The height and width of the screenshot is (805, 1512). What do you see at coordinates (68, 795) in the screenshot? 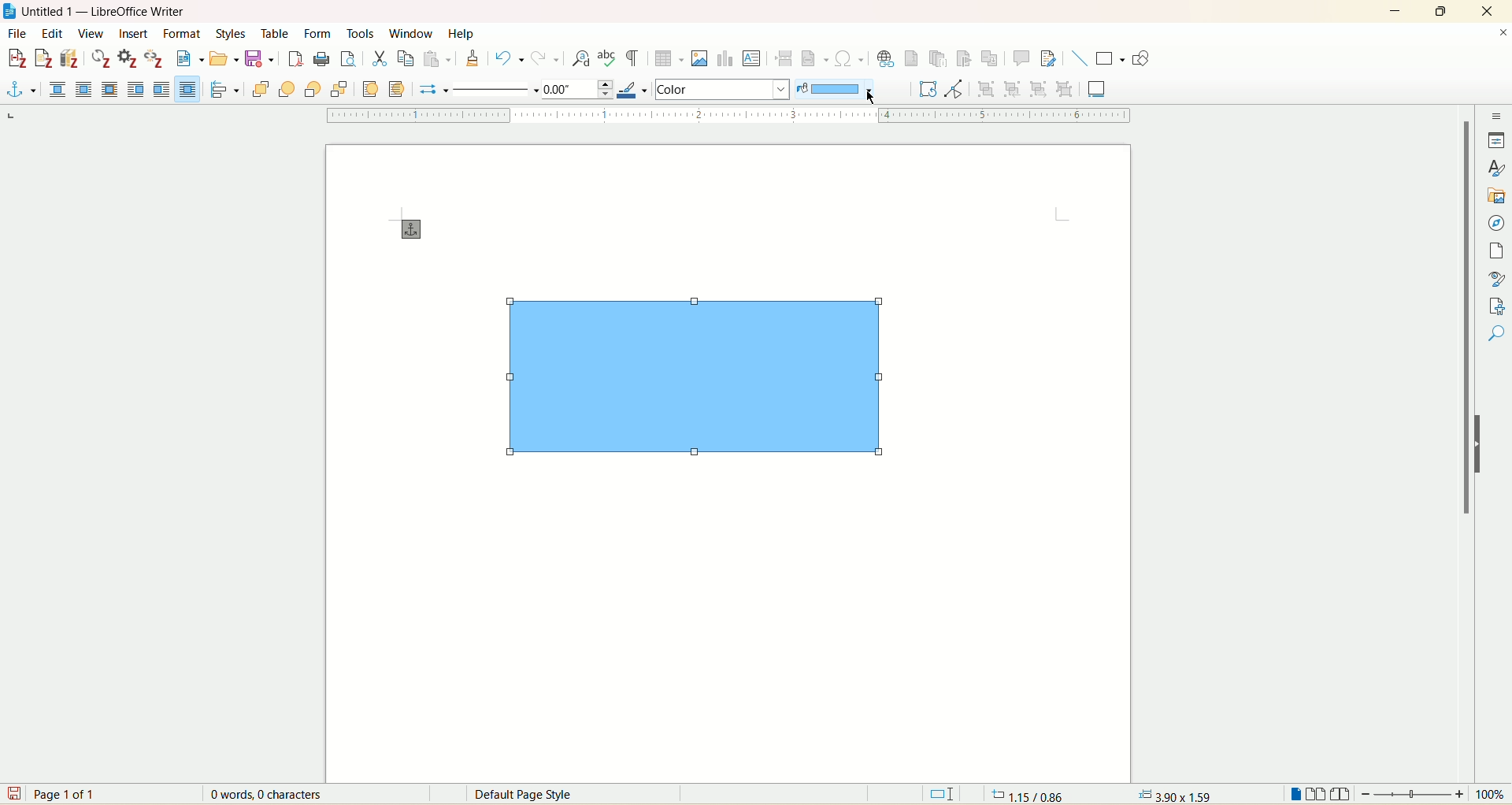
I see `page number` at bounding box center [68, 795].